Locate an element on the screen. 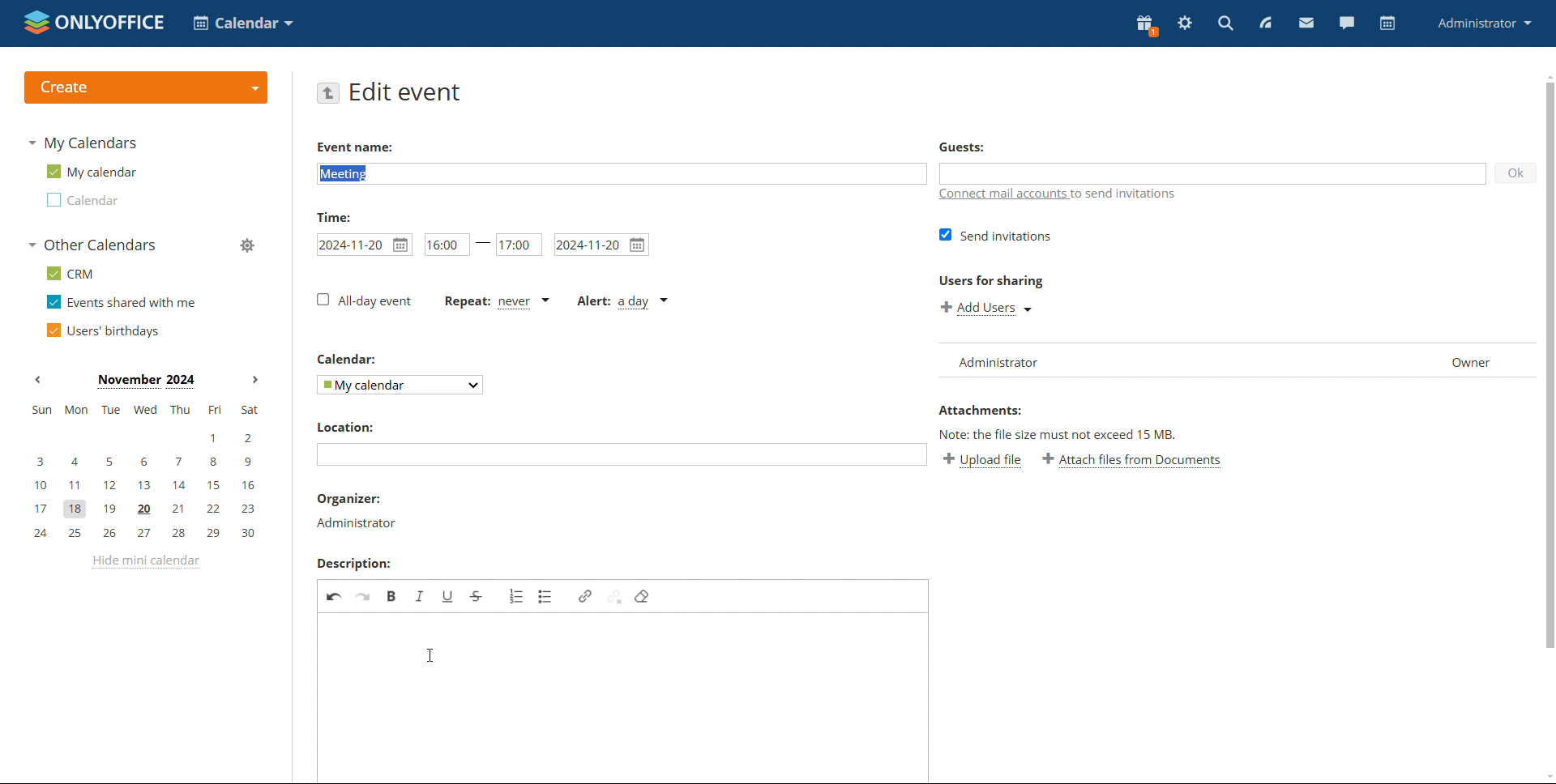  calendar is located at coordinates (347, 360).